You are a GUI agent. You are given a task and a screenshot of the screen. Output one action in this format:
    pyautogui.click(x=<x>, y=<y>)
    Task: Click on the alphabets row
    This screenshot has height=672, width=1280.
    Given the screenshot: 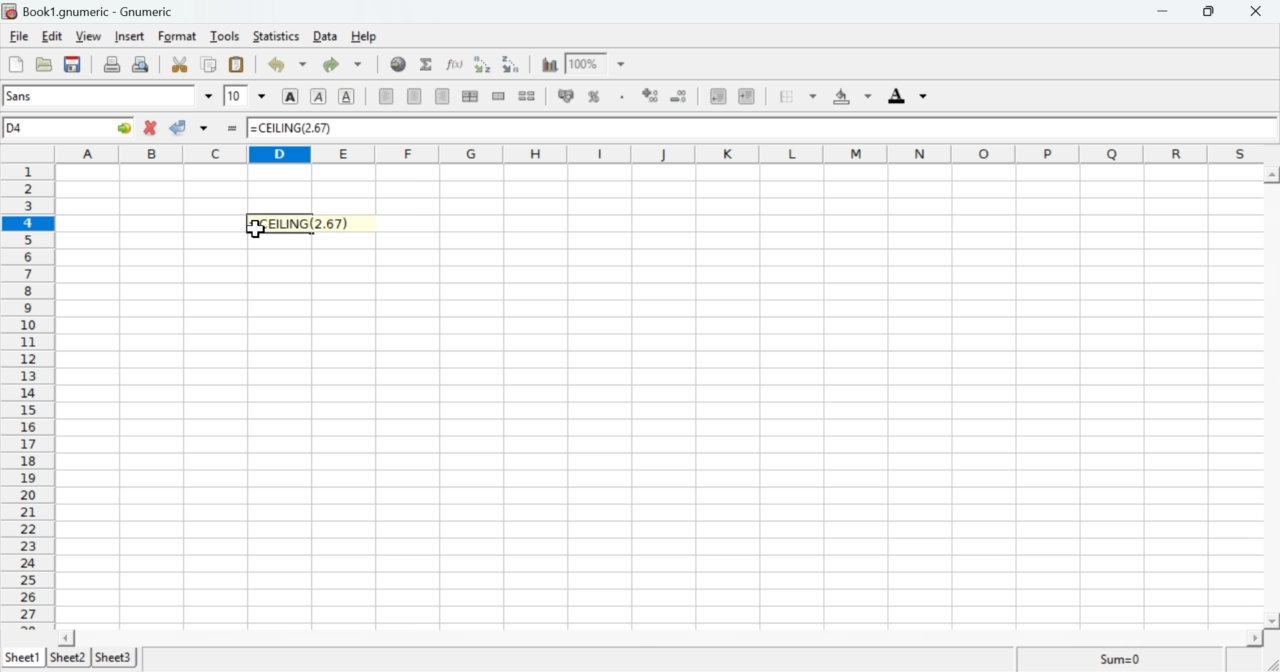 What is the action you would take?
    pyautogui.click(x=655, y=152)
    